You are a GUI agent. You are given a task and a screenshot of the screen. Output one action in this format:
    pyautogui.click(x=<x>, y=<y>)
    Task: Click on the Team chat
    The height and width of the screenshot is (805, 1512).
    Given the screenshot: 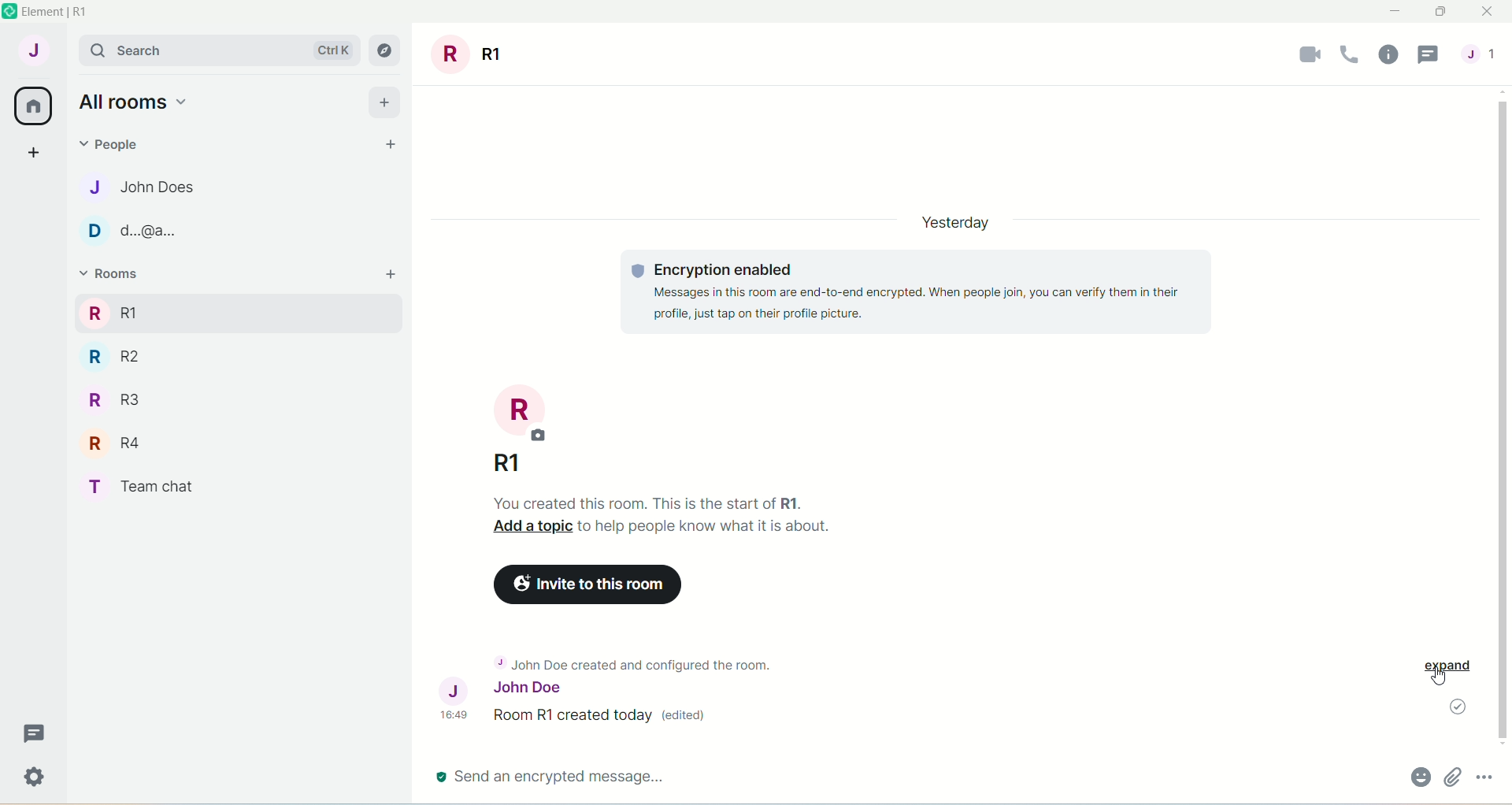 What is the action you would take?
    pyautogui.click(x=141, y=487)
    